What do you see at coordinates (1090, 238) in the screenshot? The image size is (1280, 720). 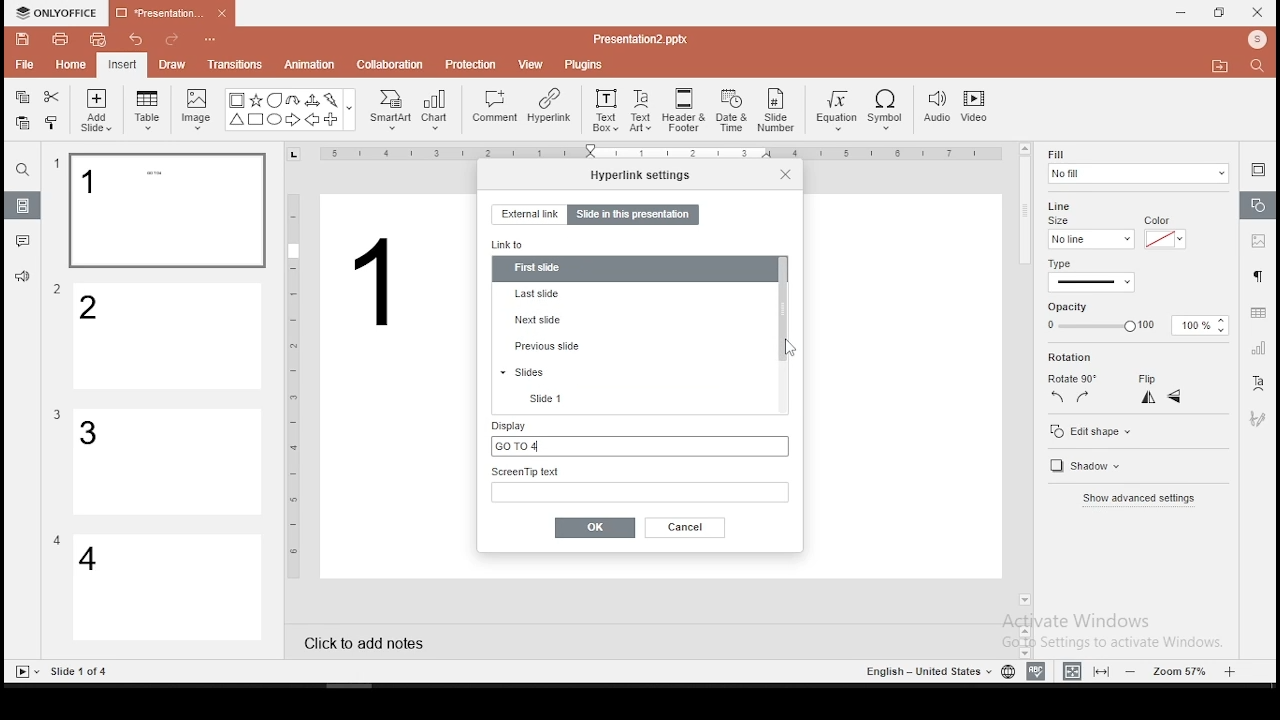 I see `line size` at bounding box center [1090, 238].